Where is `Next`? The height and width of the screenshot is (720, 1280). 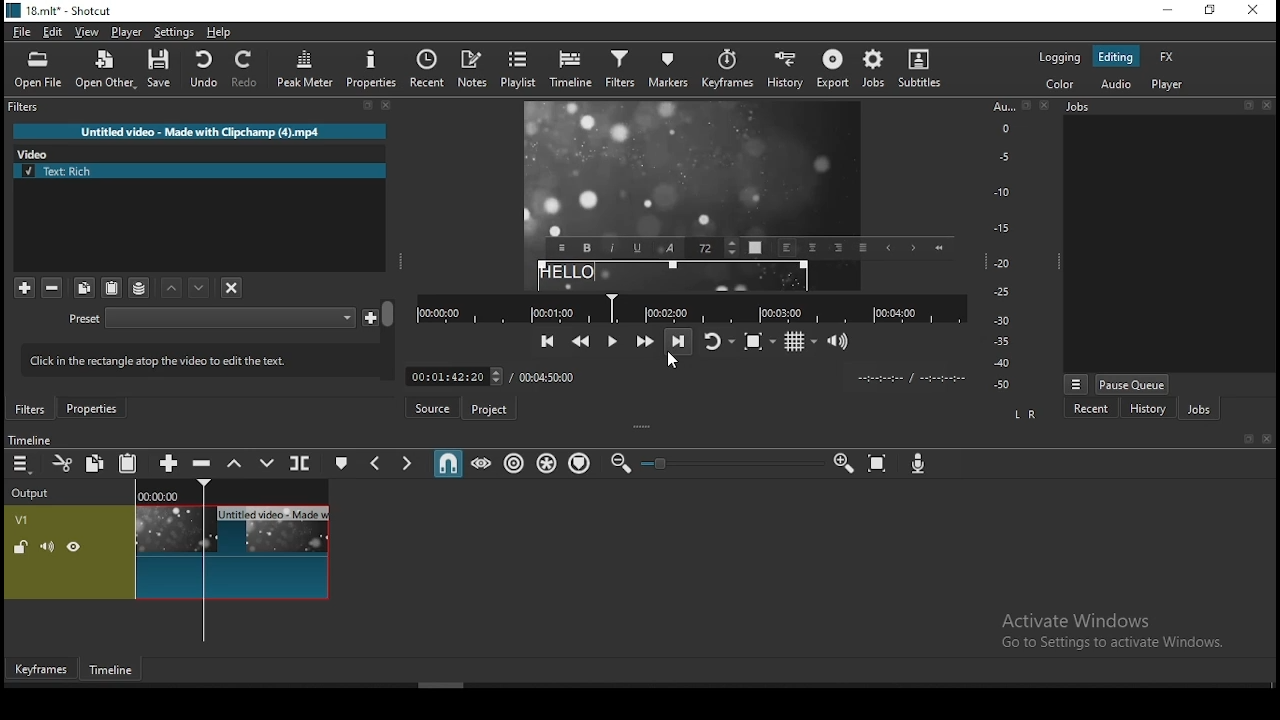
Next is located at coordinates (912, 248).